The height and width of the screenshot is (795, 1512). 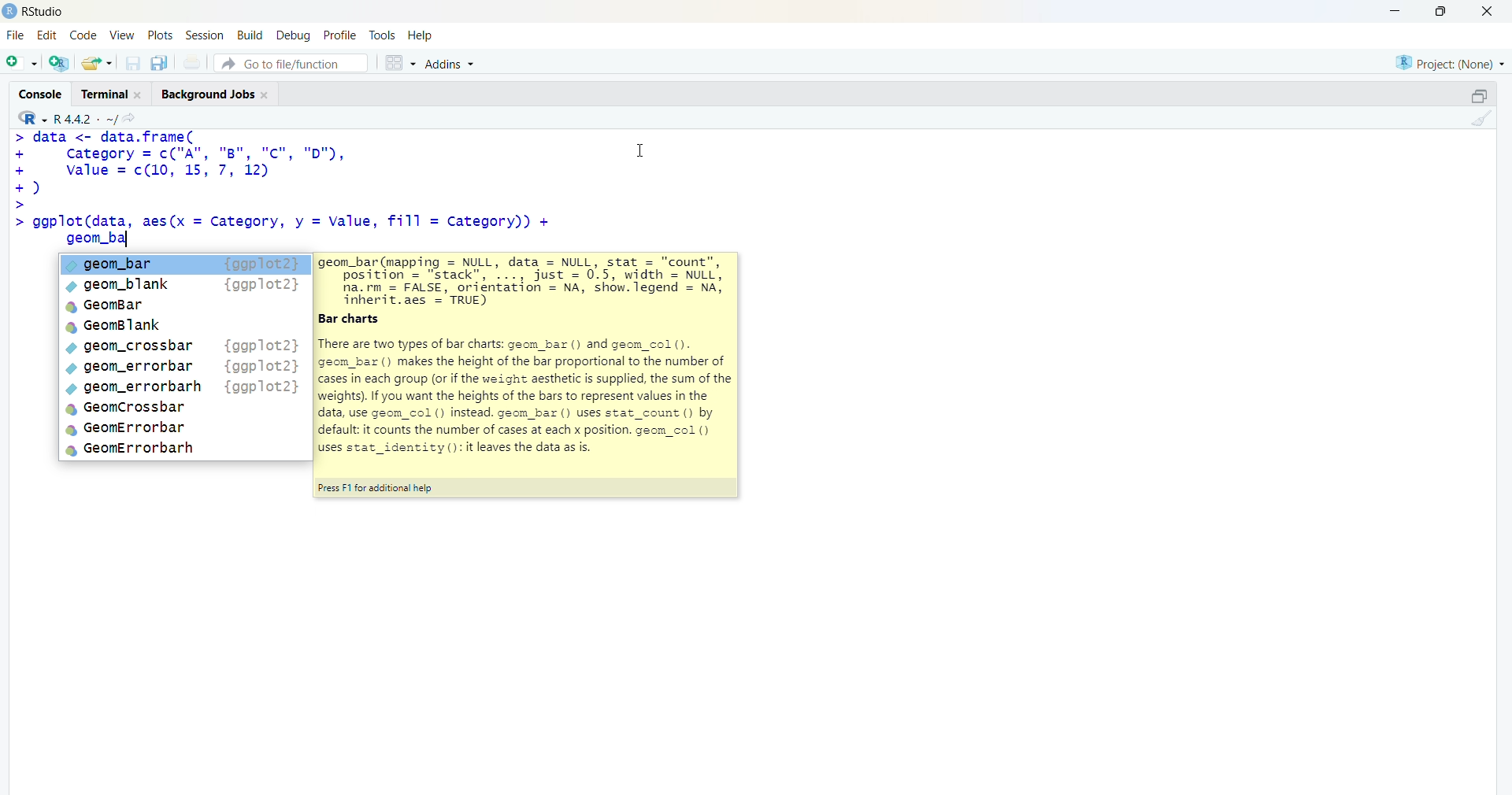 I want to click on print current file, so click(x=190, y=62).